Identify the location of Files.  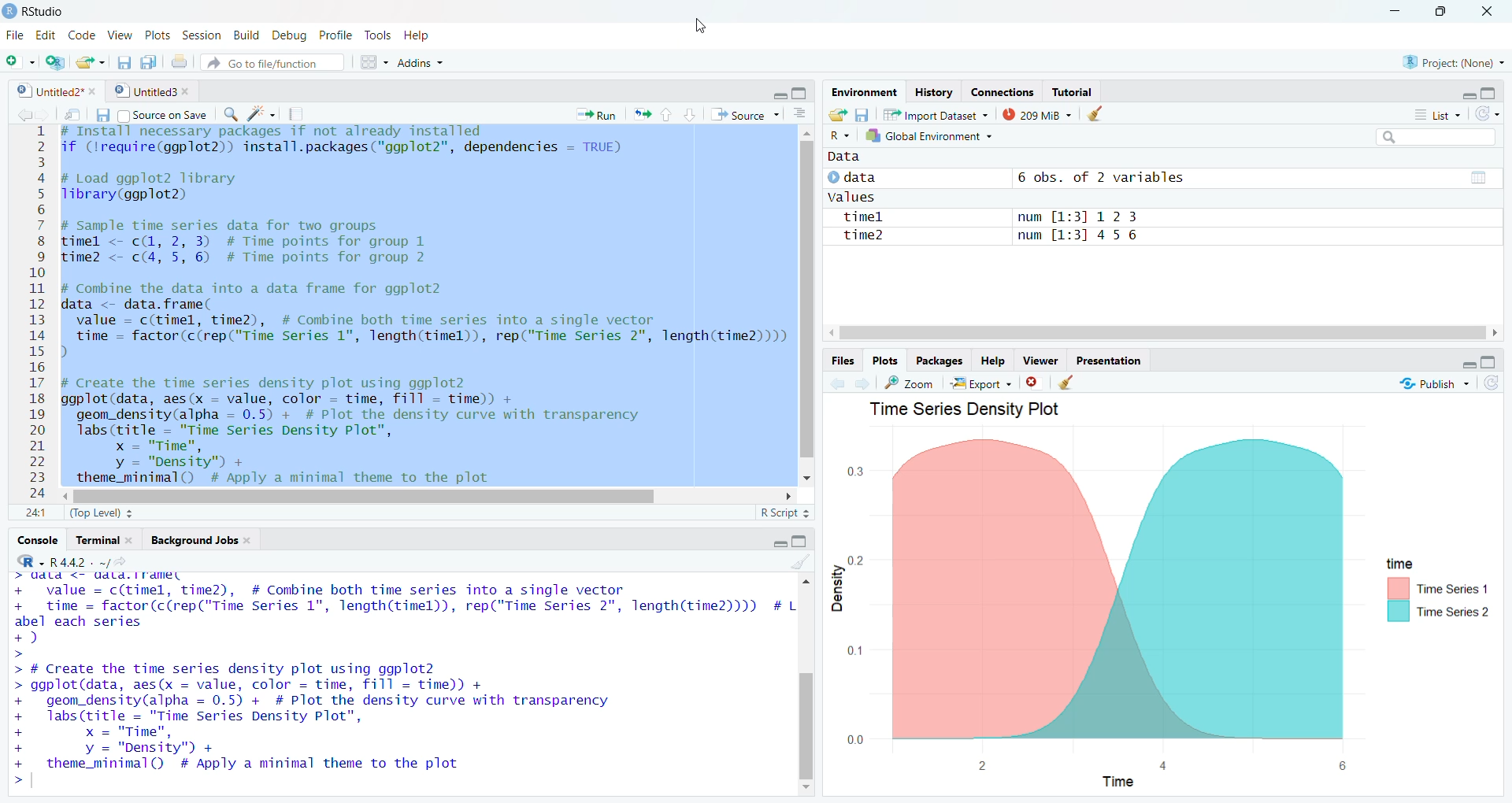
(843, 361).